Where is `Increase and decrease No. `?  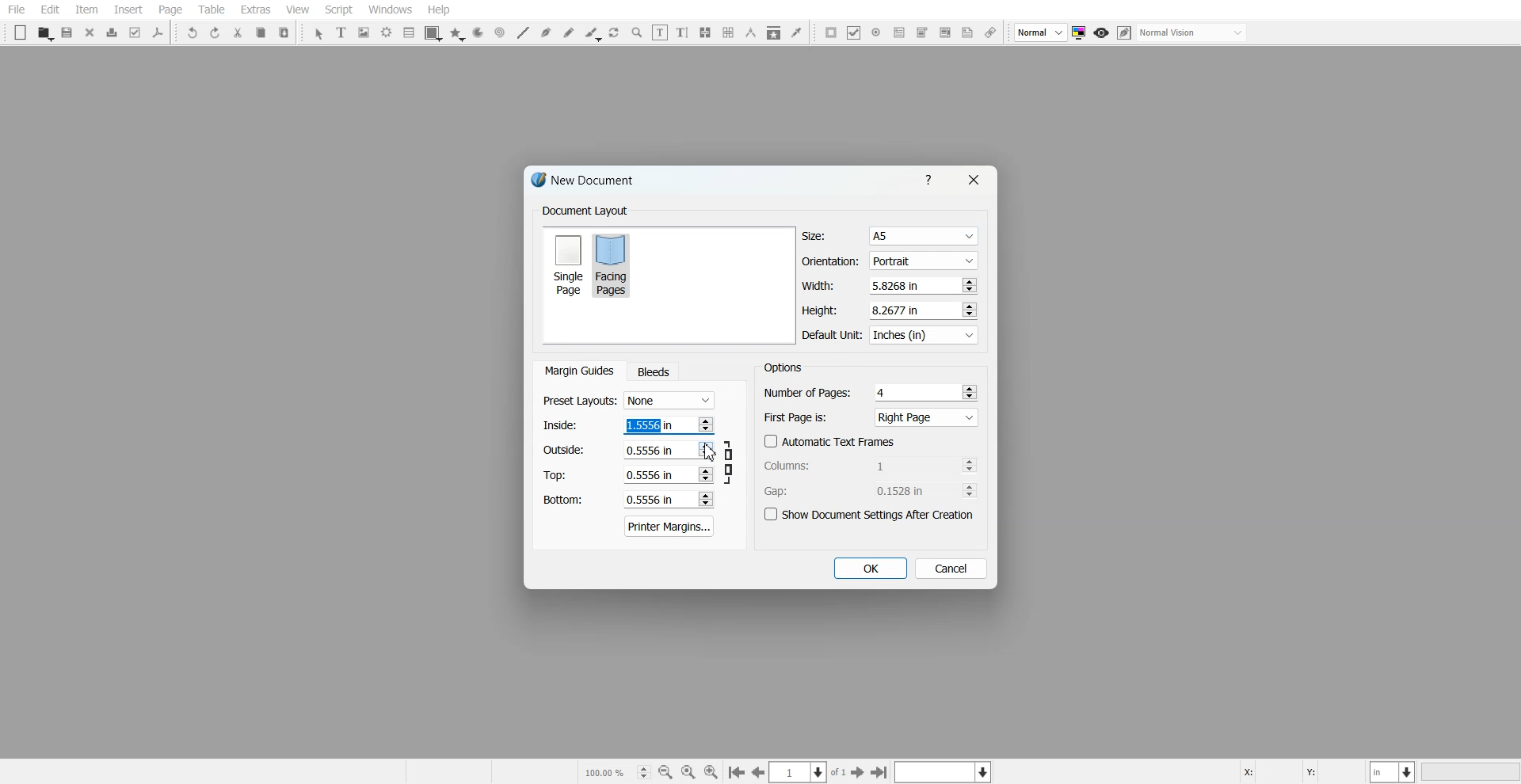 Increase and decrease No.  is located at coordinates (969, 465).